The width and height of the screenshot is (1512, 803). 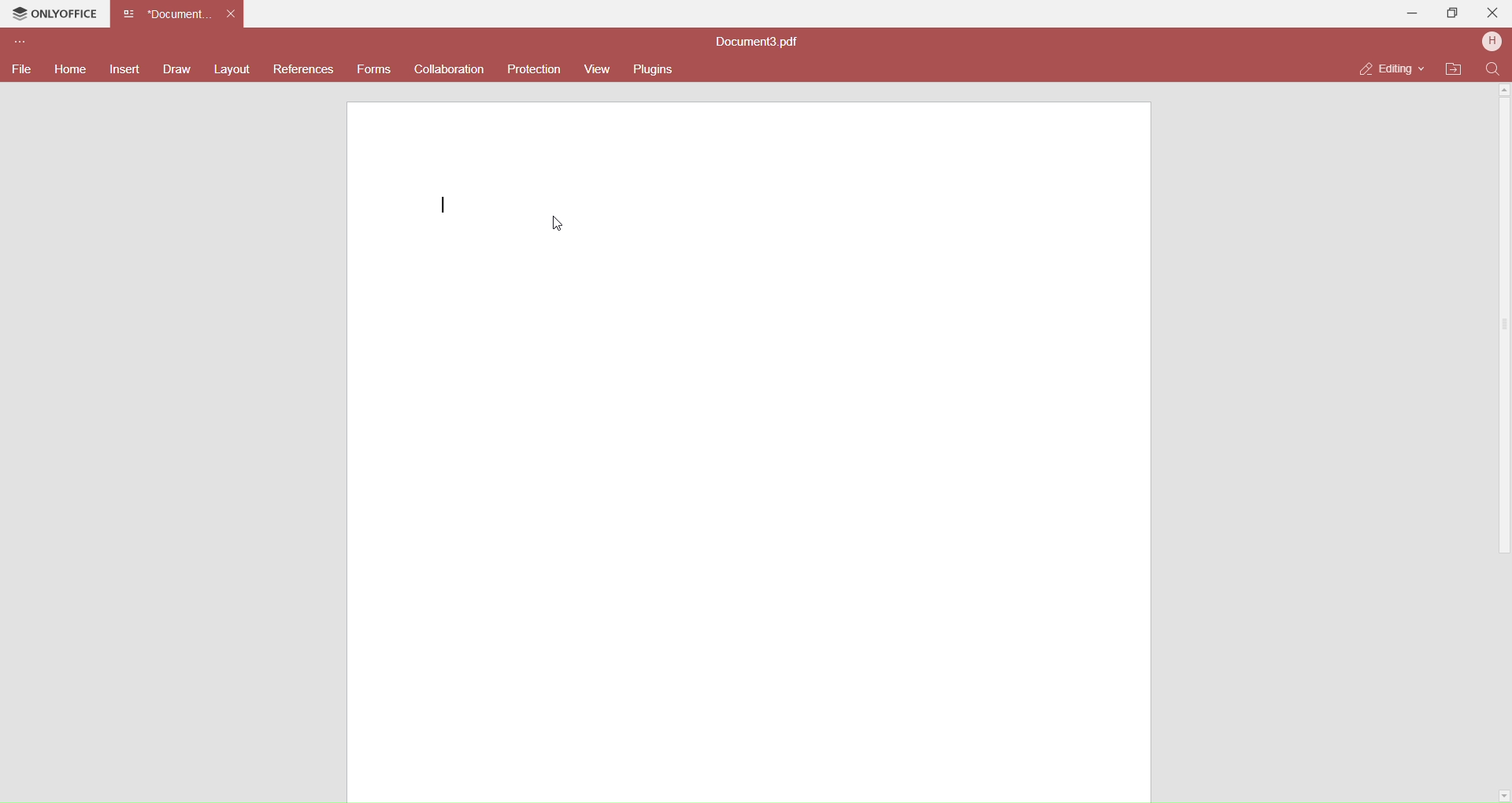 What do you see at coordinates (532, 69) in the screenshot?
I see `Protection` at bounding box center [532, 69].